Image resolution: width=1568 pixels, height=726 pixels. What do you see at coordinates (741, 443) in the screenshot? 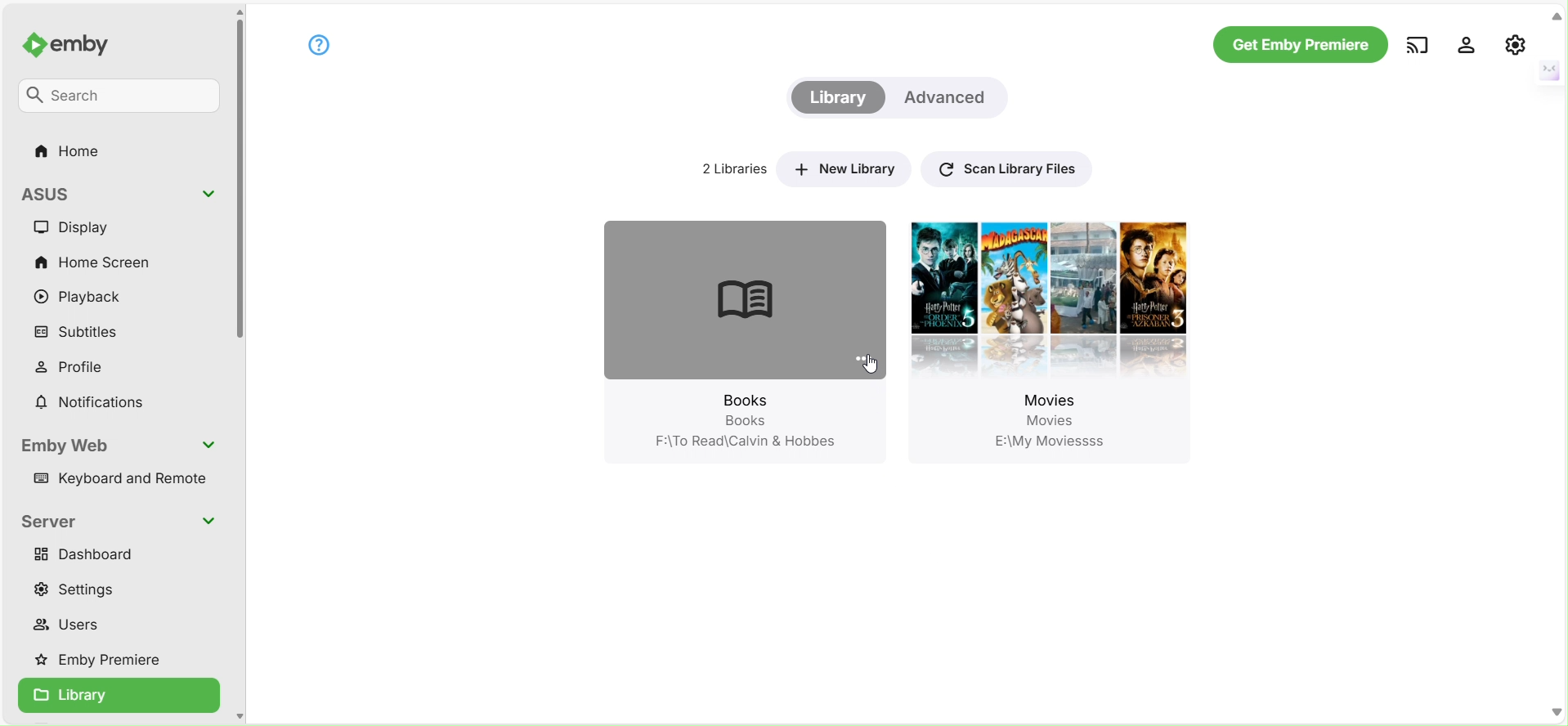
I see `location F:\To Read\Calvin & Hobbes` at bounding box center [741, 443].